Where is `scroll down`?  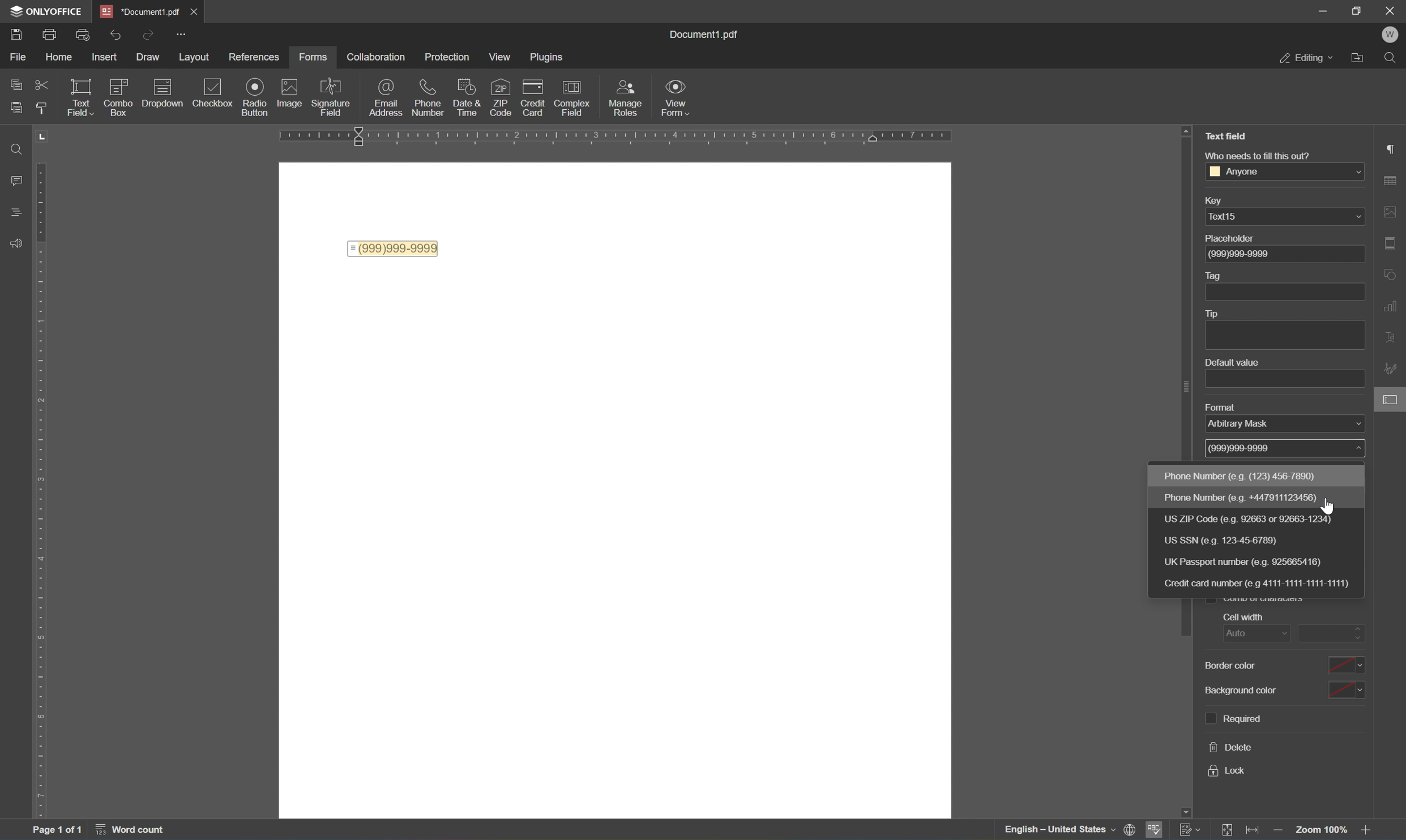
scroll down is located at coordinates (1373, 816).